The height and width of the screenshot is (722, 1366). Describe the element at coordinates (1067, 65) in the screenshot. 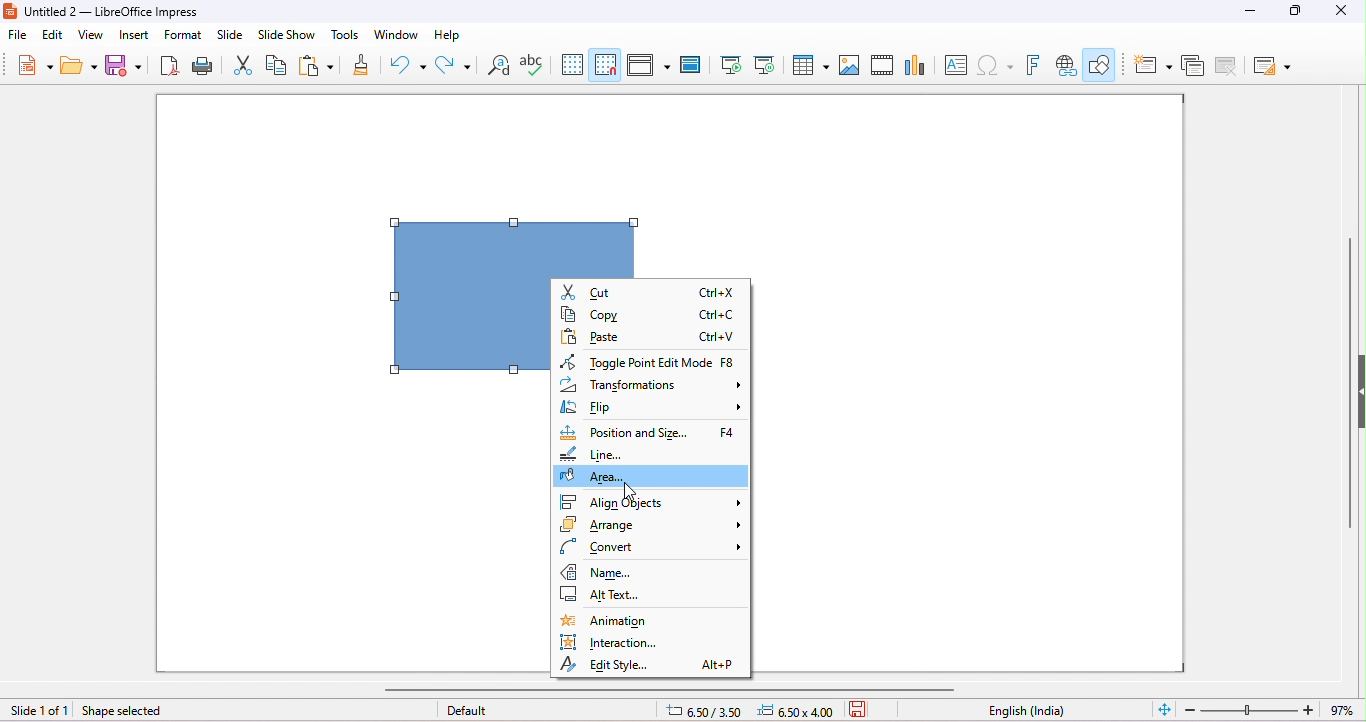

I see `insert hyperlink` at that location.